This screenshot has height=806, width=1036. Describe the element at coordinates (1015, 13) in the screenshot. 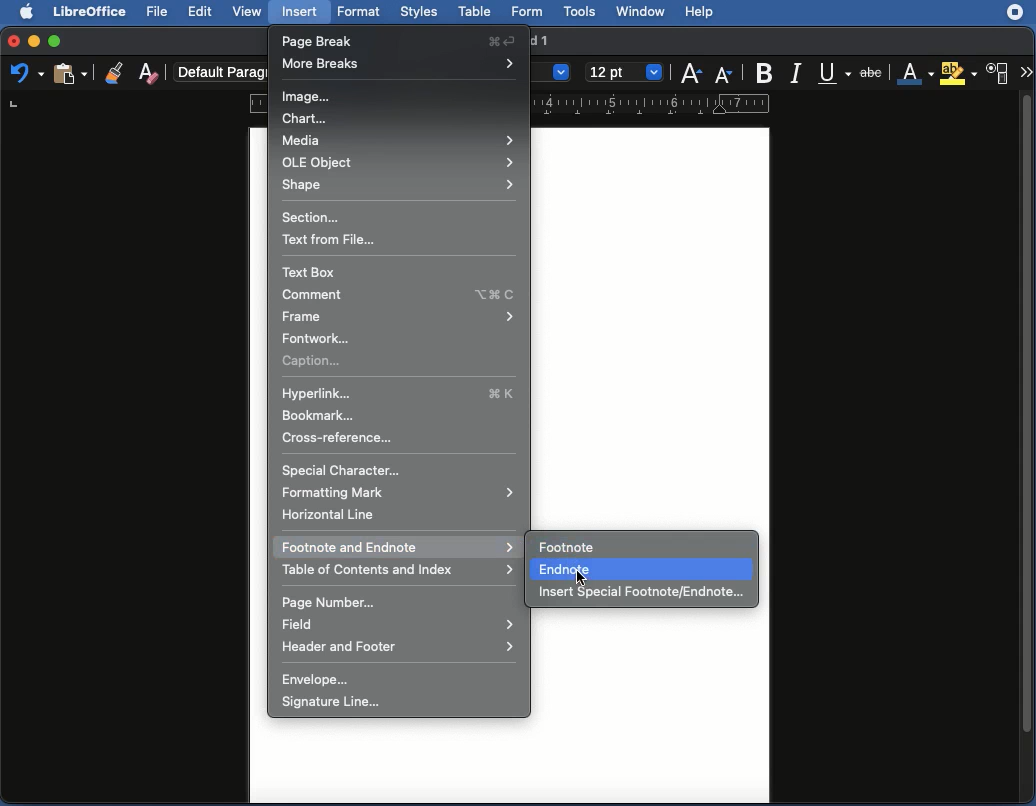

I see `extension` at that location.